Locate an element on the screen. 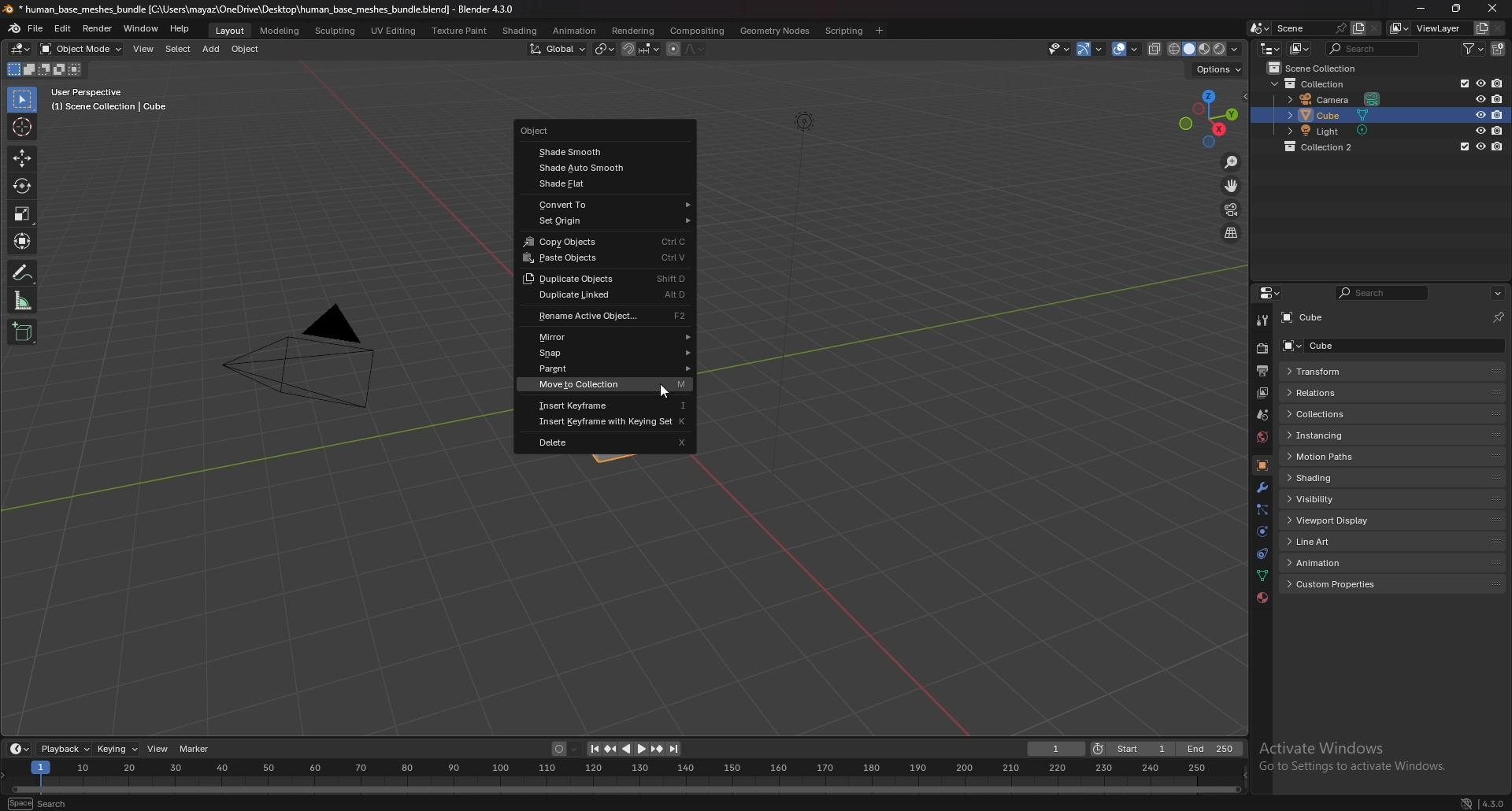 The image size is (1512, 811). modifier is located at coordinates (1262, 489).